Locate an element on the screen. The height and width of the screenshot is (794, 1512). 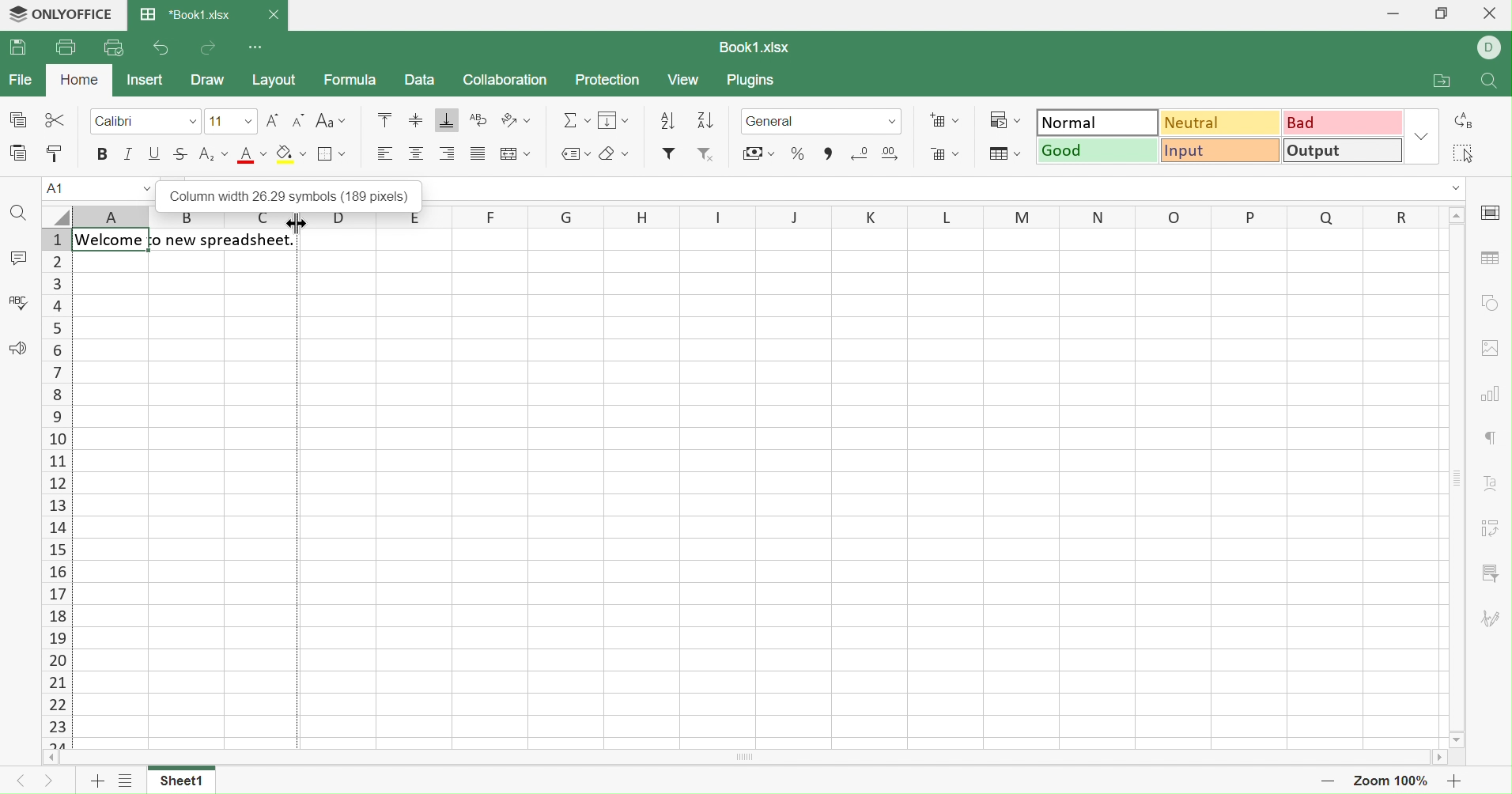
Formula is located at coordinates (350, 81).